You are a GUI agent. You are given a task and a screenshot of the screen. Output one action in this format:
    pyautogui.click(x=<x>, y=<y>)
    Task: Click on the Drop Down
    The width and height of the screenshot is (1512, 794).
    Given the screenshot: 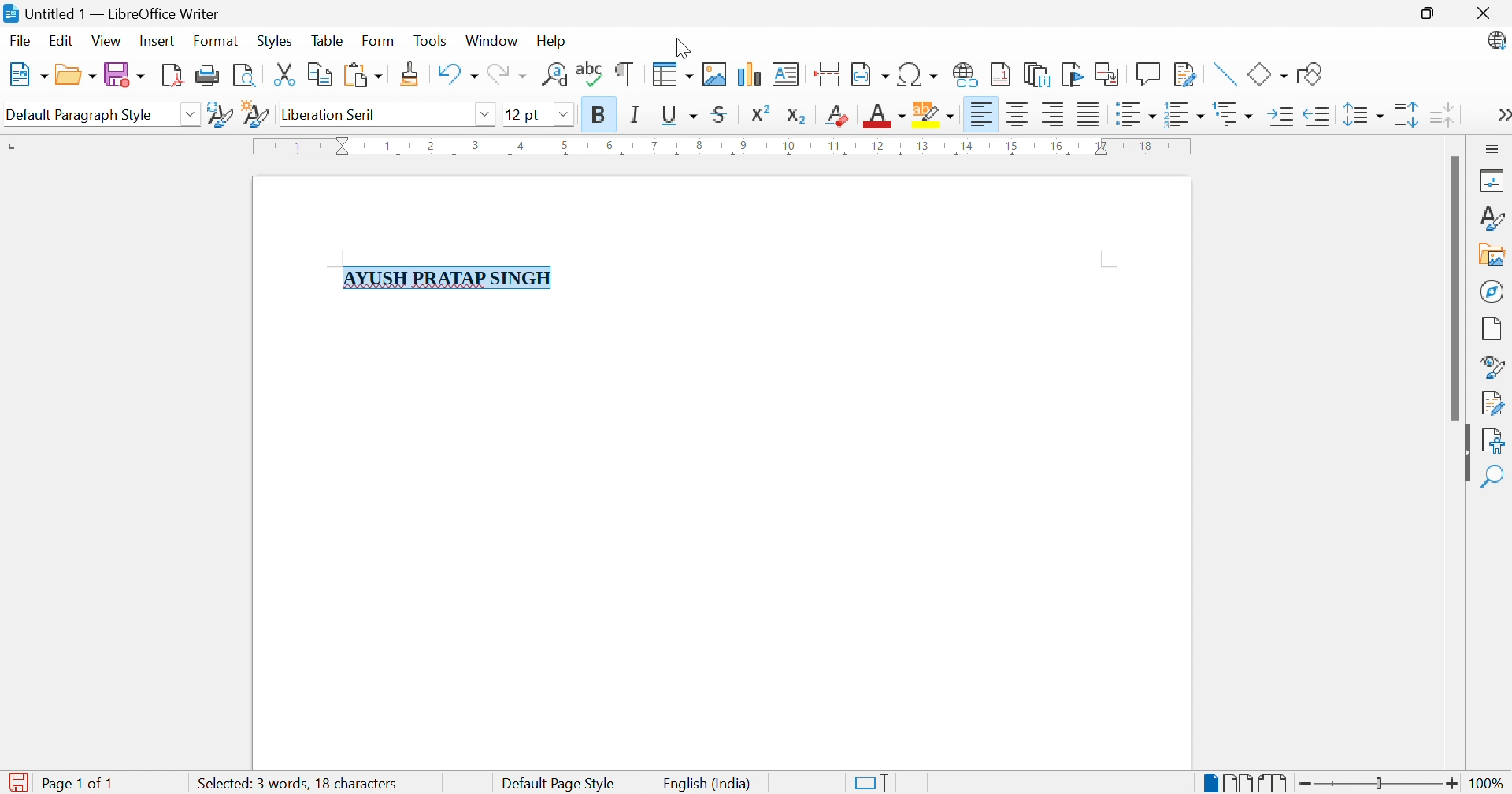 What is the action you would take?
    pyautogui.click(x=563, y=114)
    